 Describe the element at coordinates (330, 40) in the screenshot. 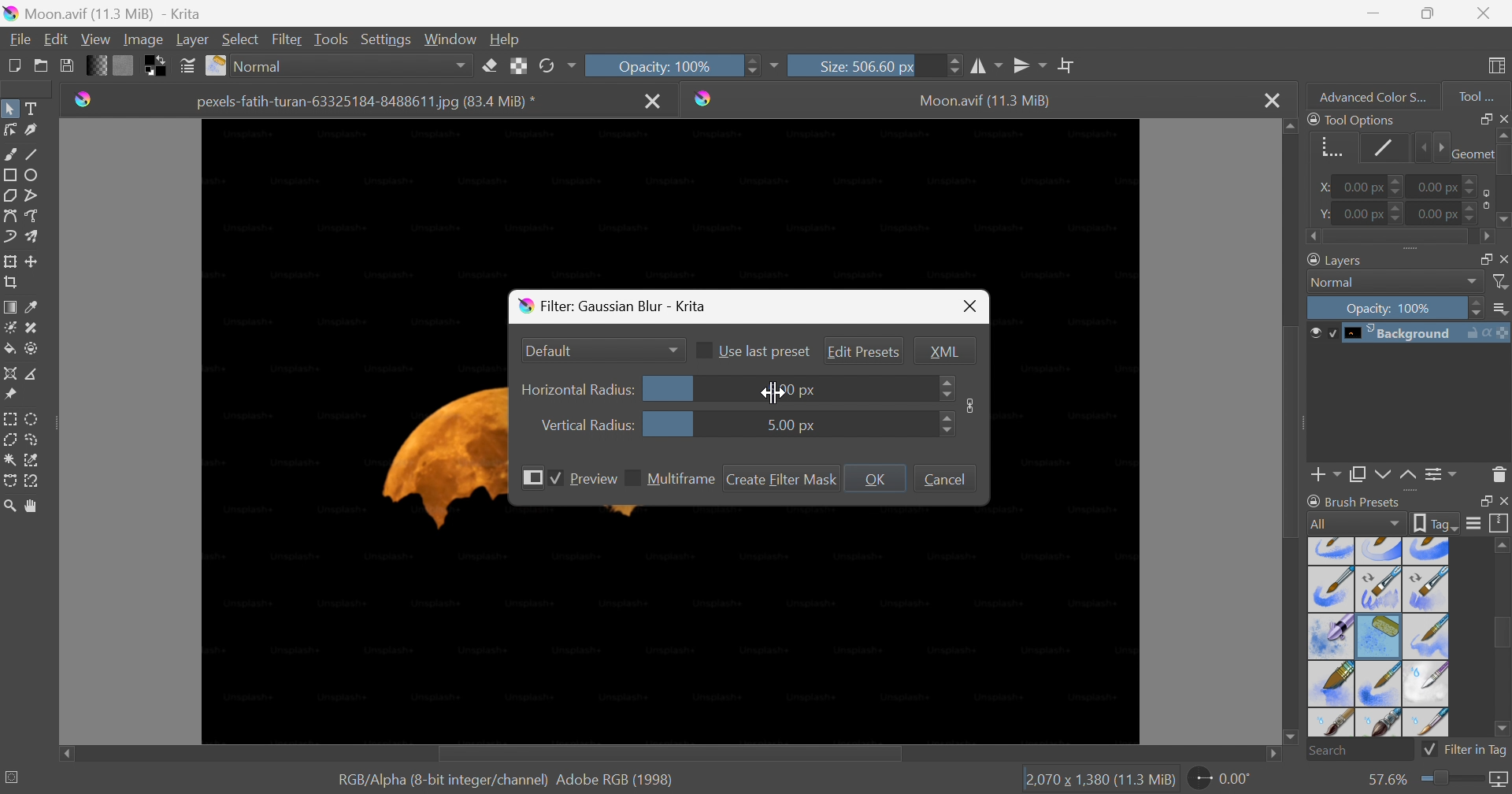

I see `Tools` at that location.